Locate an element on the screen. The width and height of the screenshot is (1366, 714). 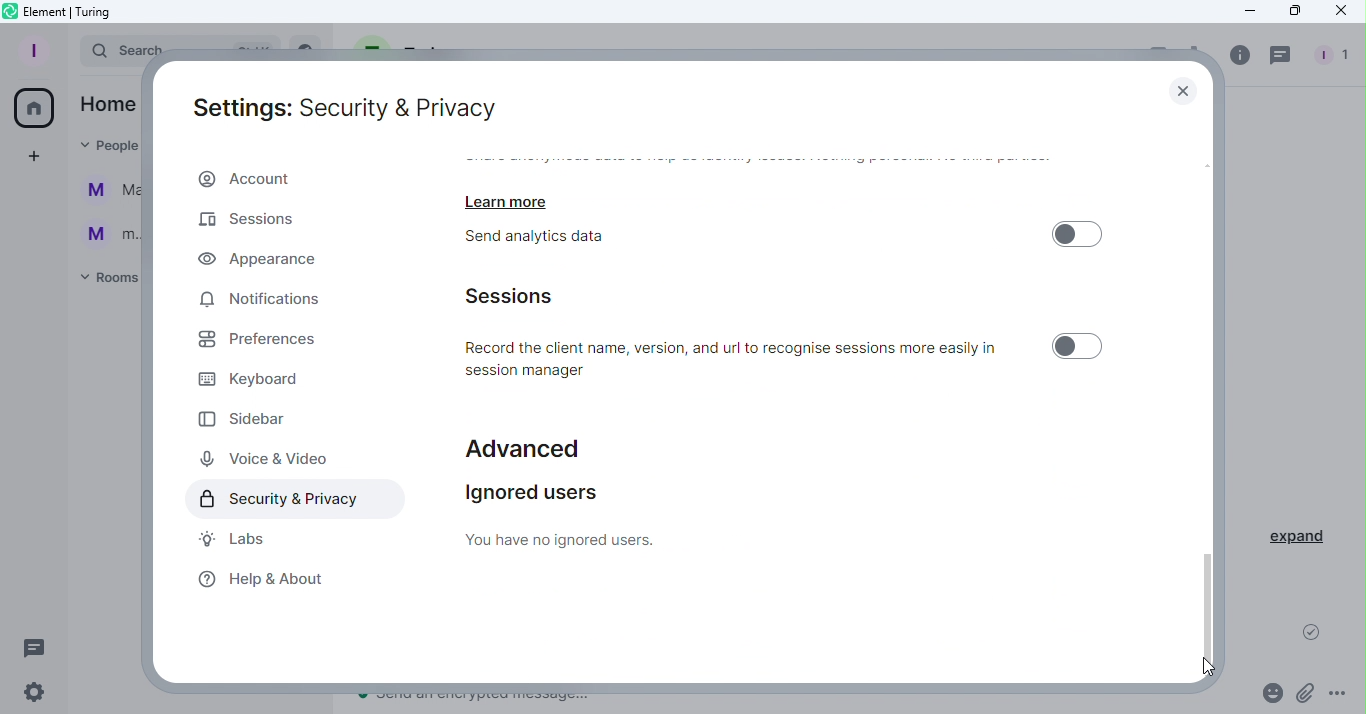
Attachment is located at coordinates (1307, 693).